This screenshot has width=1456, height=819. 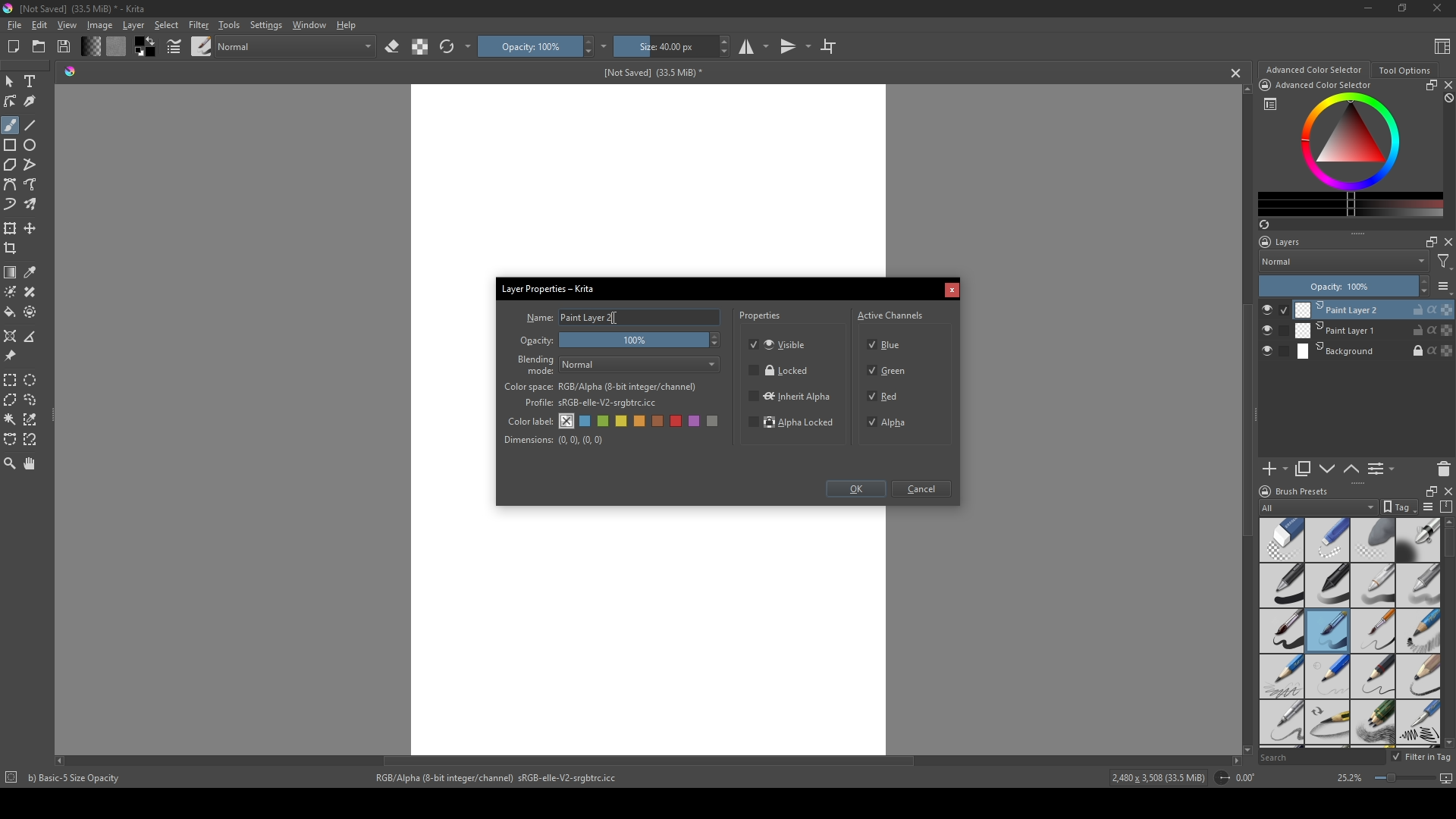 I want to click on resize, so click(x=1401, y=9).